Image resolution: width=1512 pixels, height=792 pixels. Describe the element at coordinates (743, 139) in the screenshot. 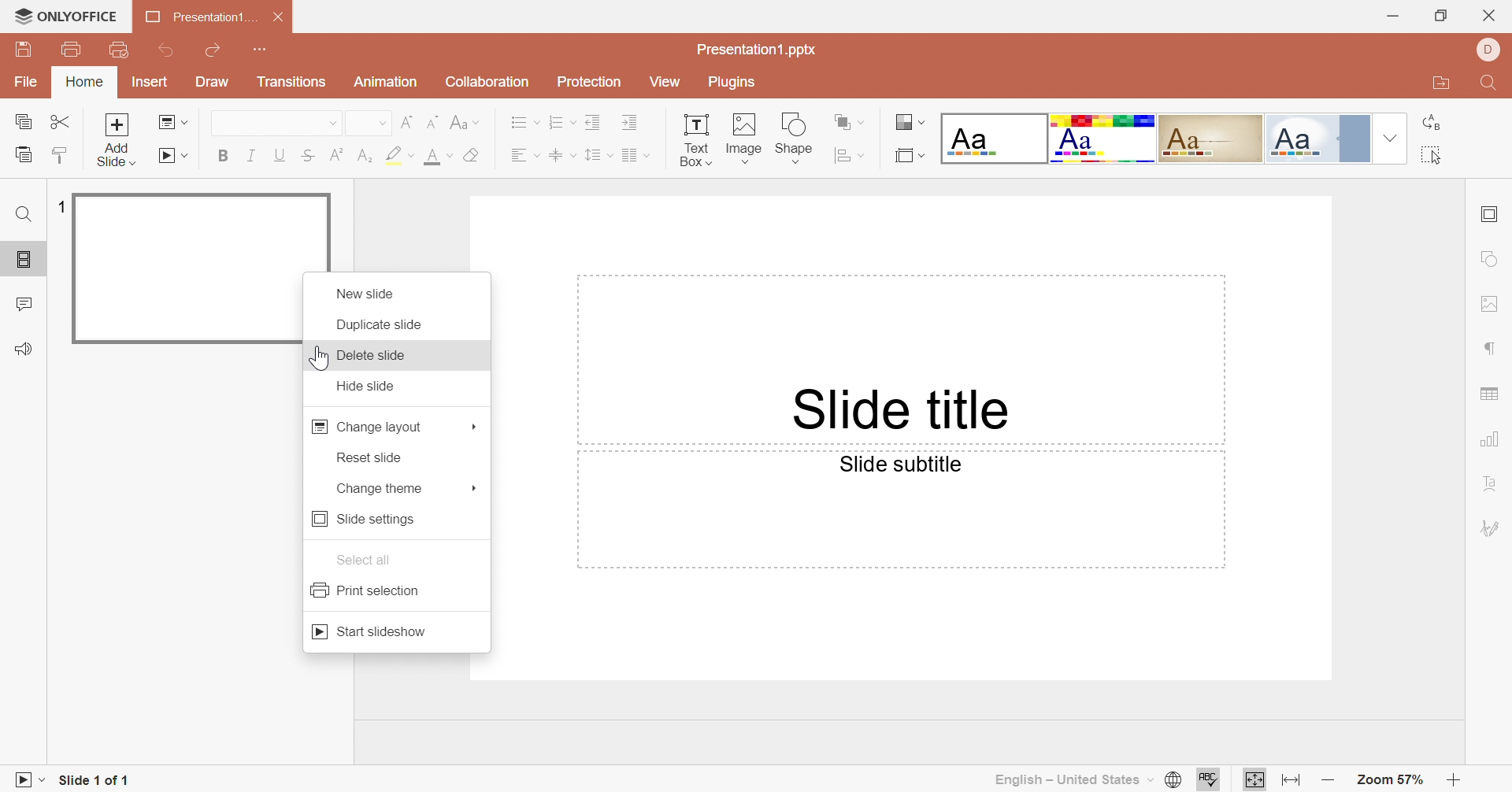

I see `Image` at that location.